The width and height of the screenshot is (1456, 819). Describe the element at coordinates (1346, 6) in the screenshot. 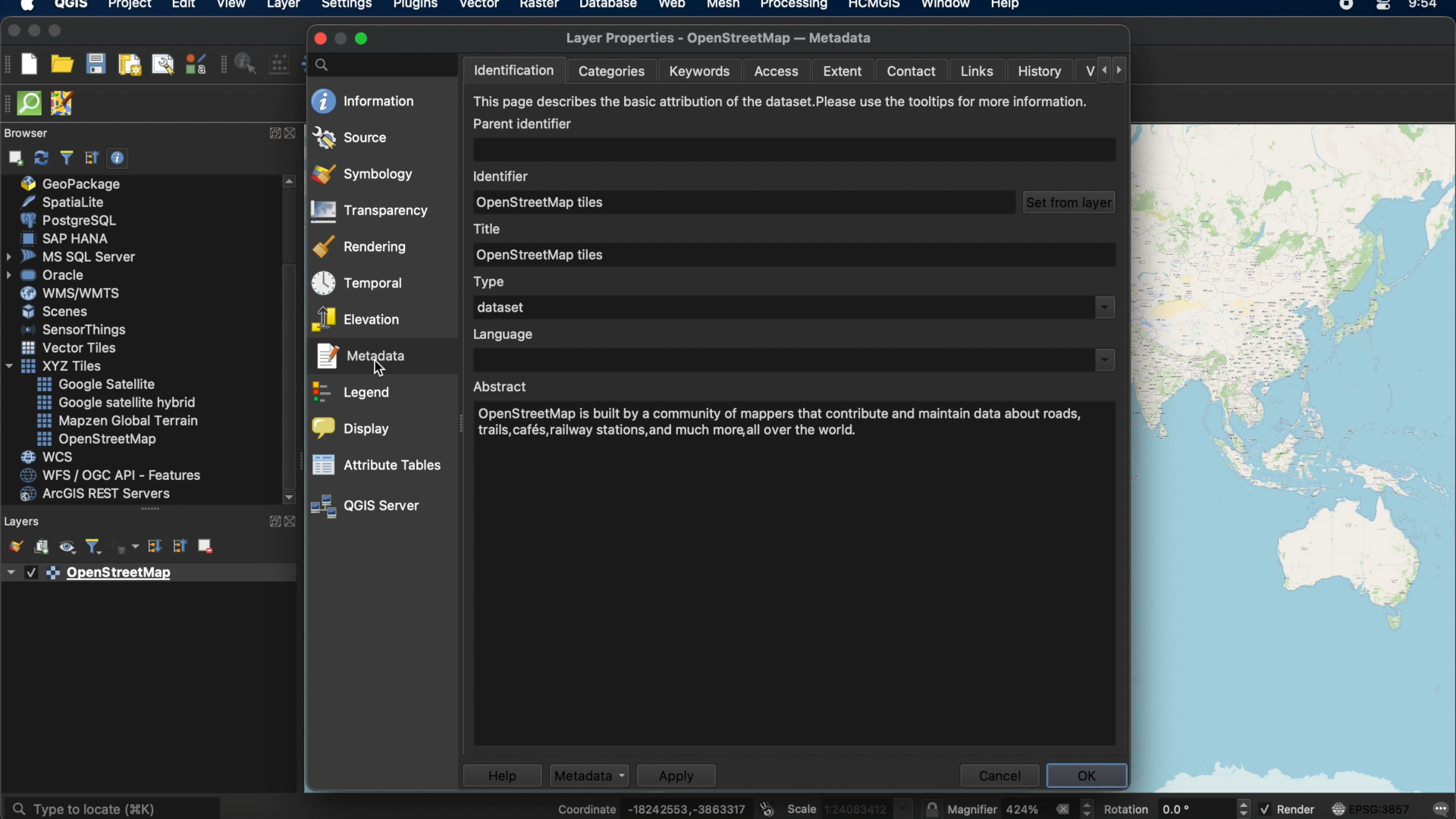

I see `recorder icon` at that location.